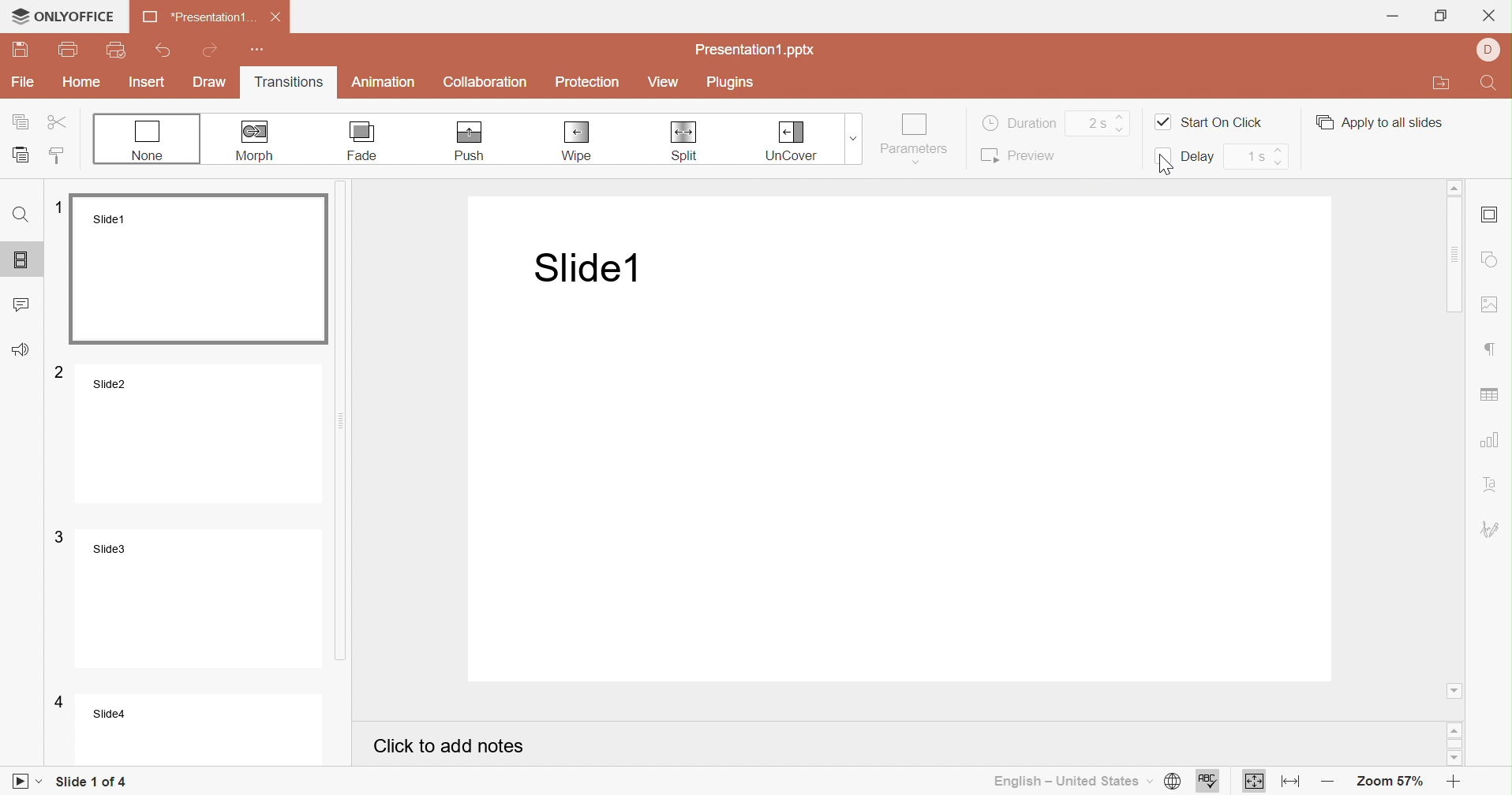 Image resolution: width=1512 pixels, height=795 pixels. What do you see at coordinates (1124, 129) in the screenshot?
I see `Decrease duration` at bounding box center [1124, 129].